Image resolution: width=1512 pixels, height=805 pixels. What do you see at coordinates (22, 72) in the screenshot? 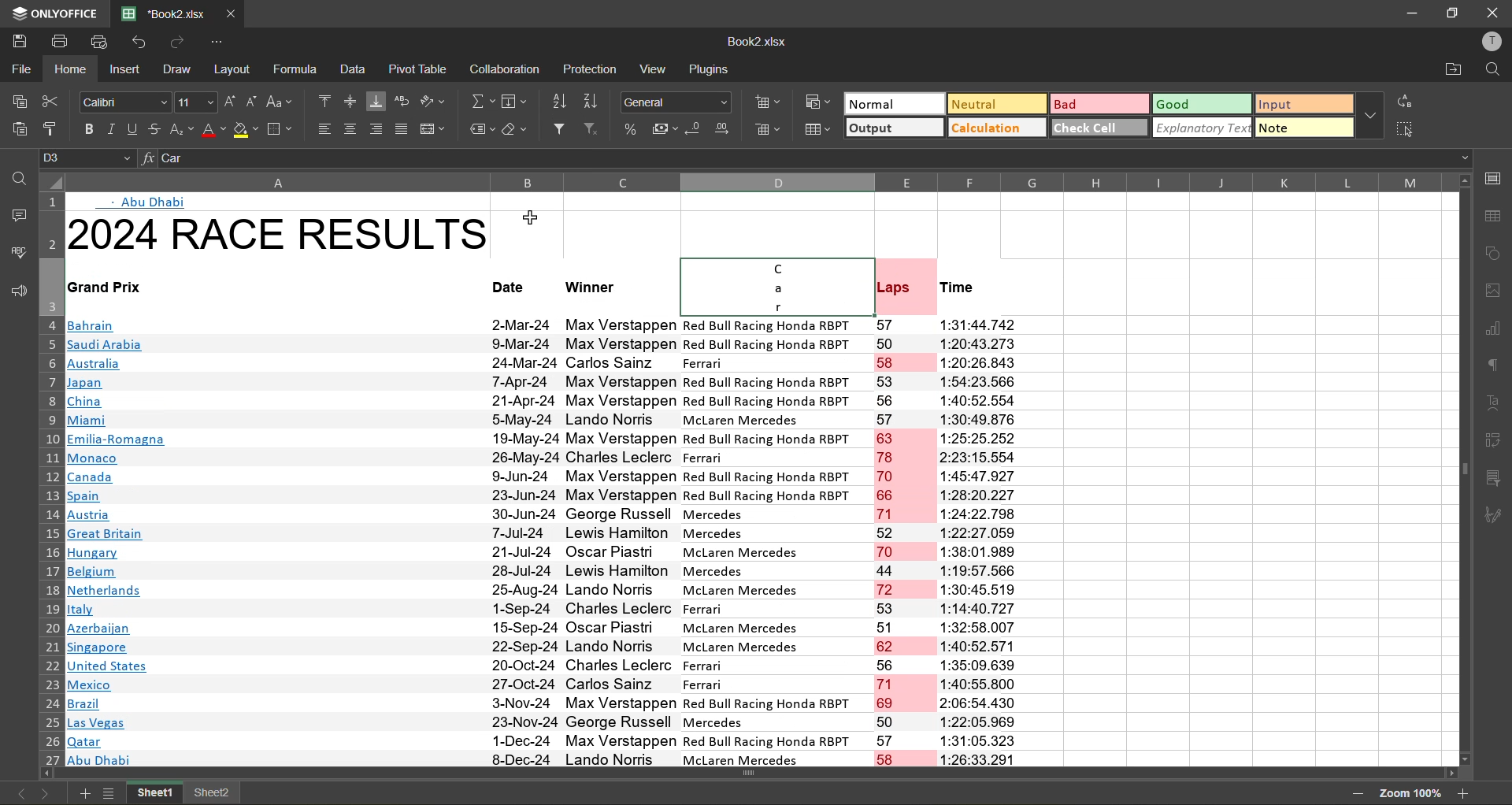
I see `file` at bounding box center [22, 72].